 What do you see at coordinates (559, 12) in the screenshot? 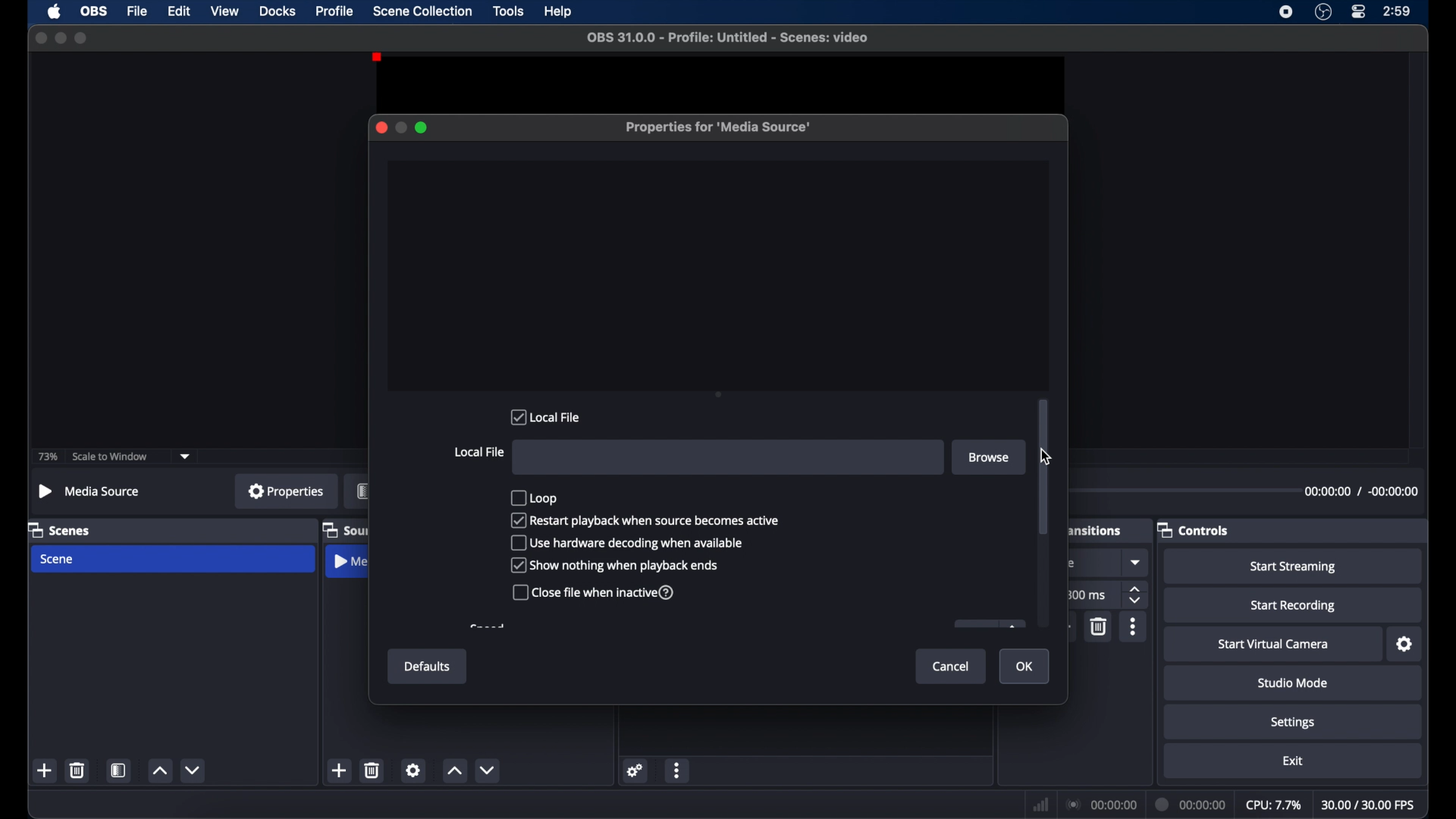
I see `help` at bounding box center [559, 12].